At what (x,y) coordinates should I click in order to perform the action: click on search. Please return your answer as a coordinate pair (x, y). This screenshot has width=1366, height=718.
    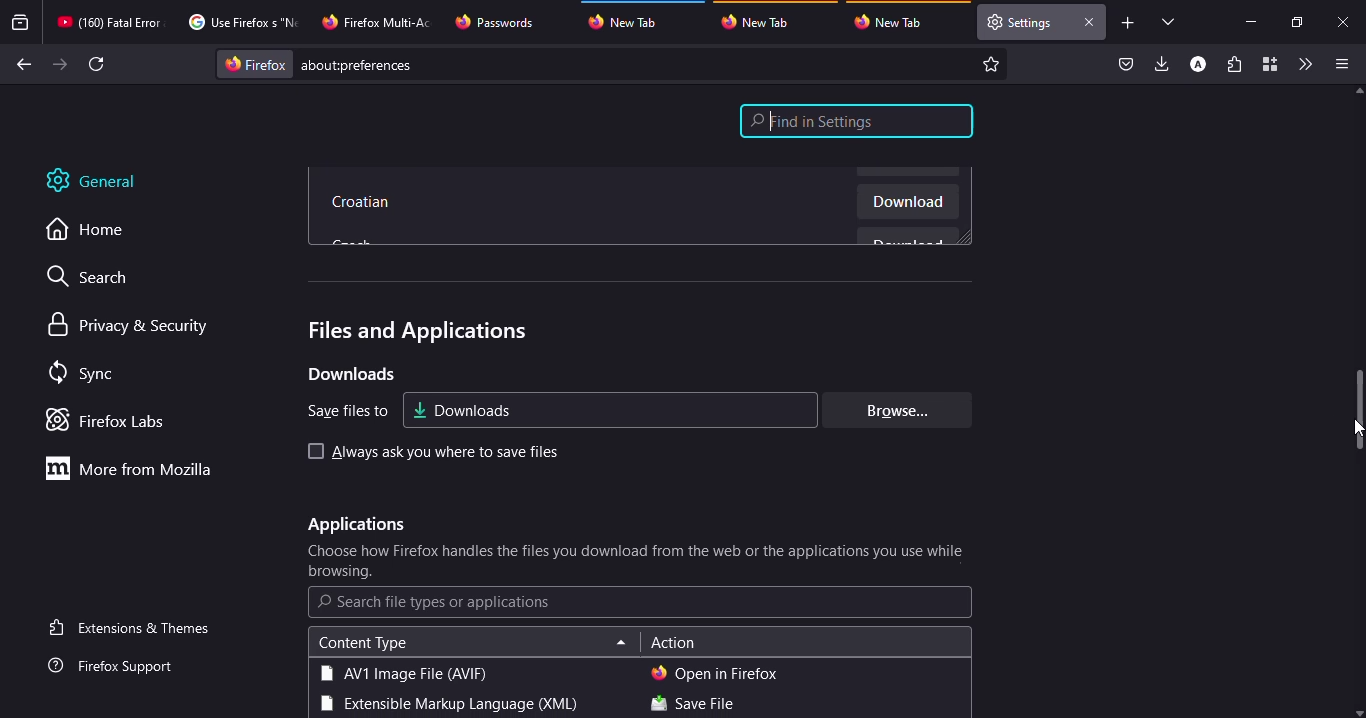
    Looking at the image, I should click on (97, 279).